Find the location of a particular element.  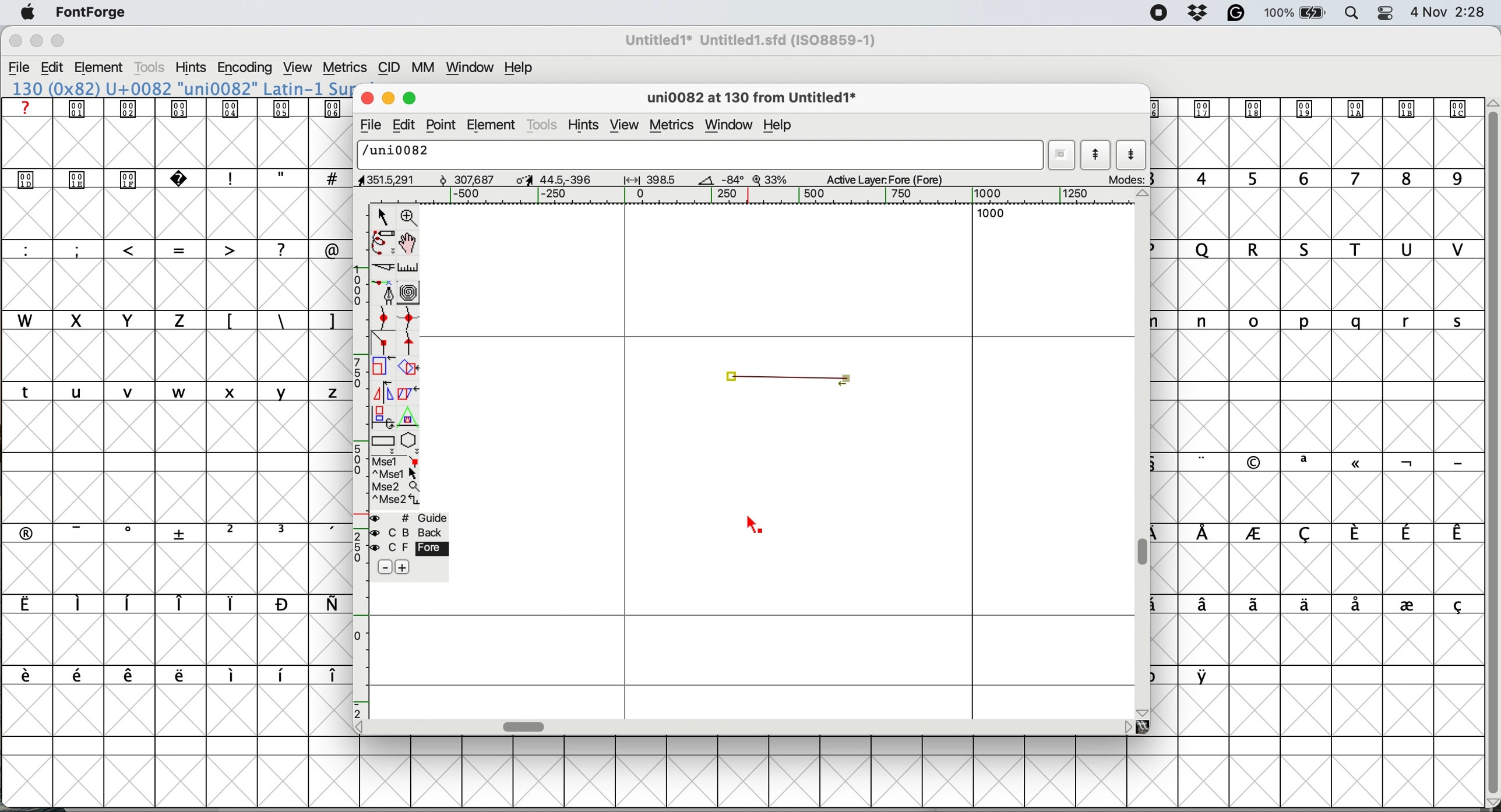

symbols is located at coordinates (185, 532).